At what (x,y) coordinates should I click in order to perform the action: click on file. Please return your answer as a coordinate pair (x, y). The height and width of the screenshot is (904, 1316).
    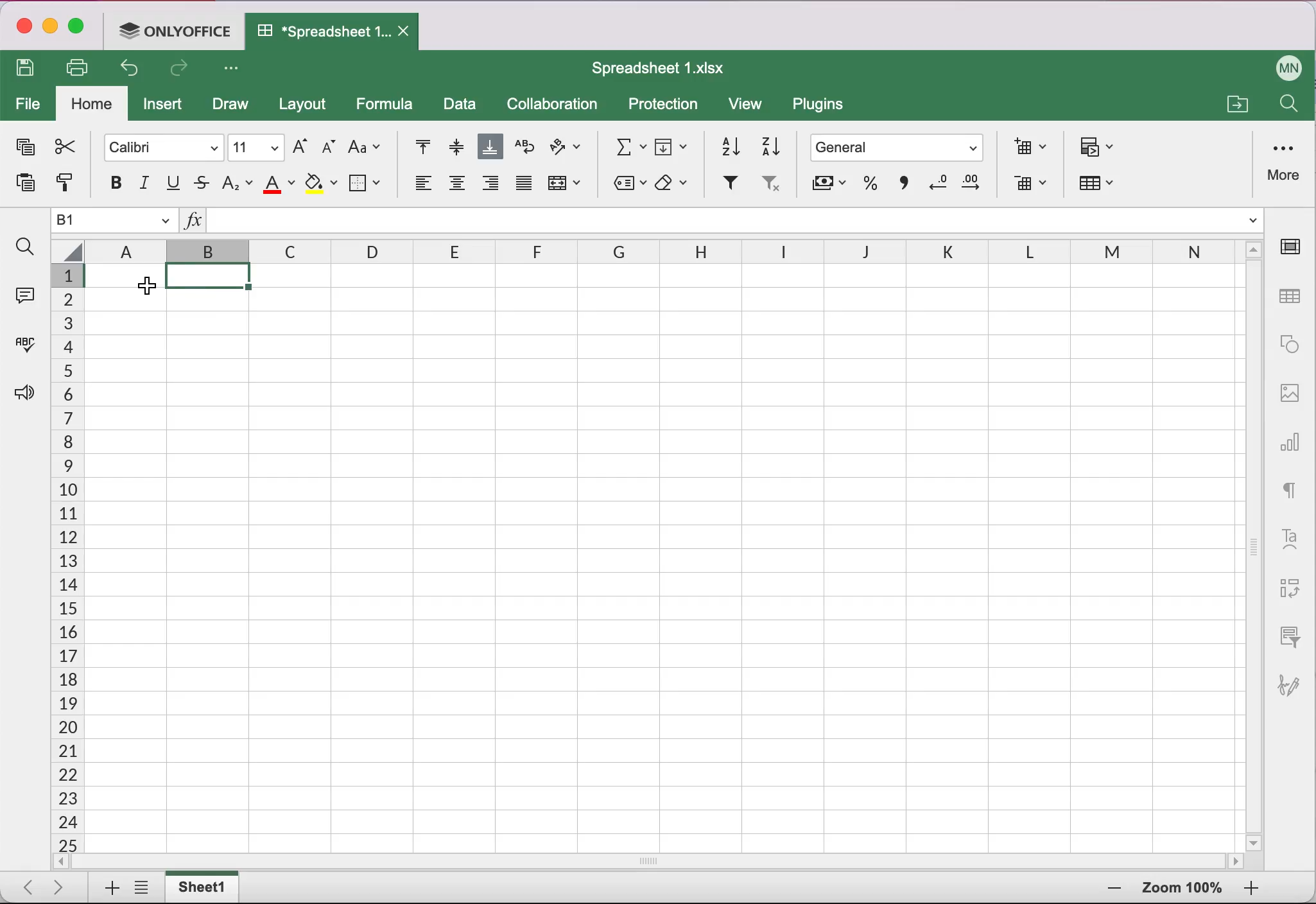
    Looking at the image, I should click on (28, 105).